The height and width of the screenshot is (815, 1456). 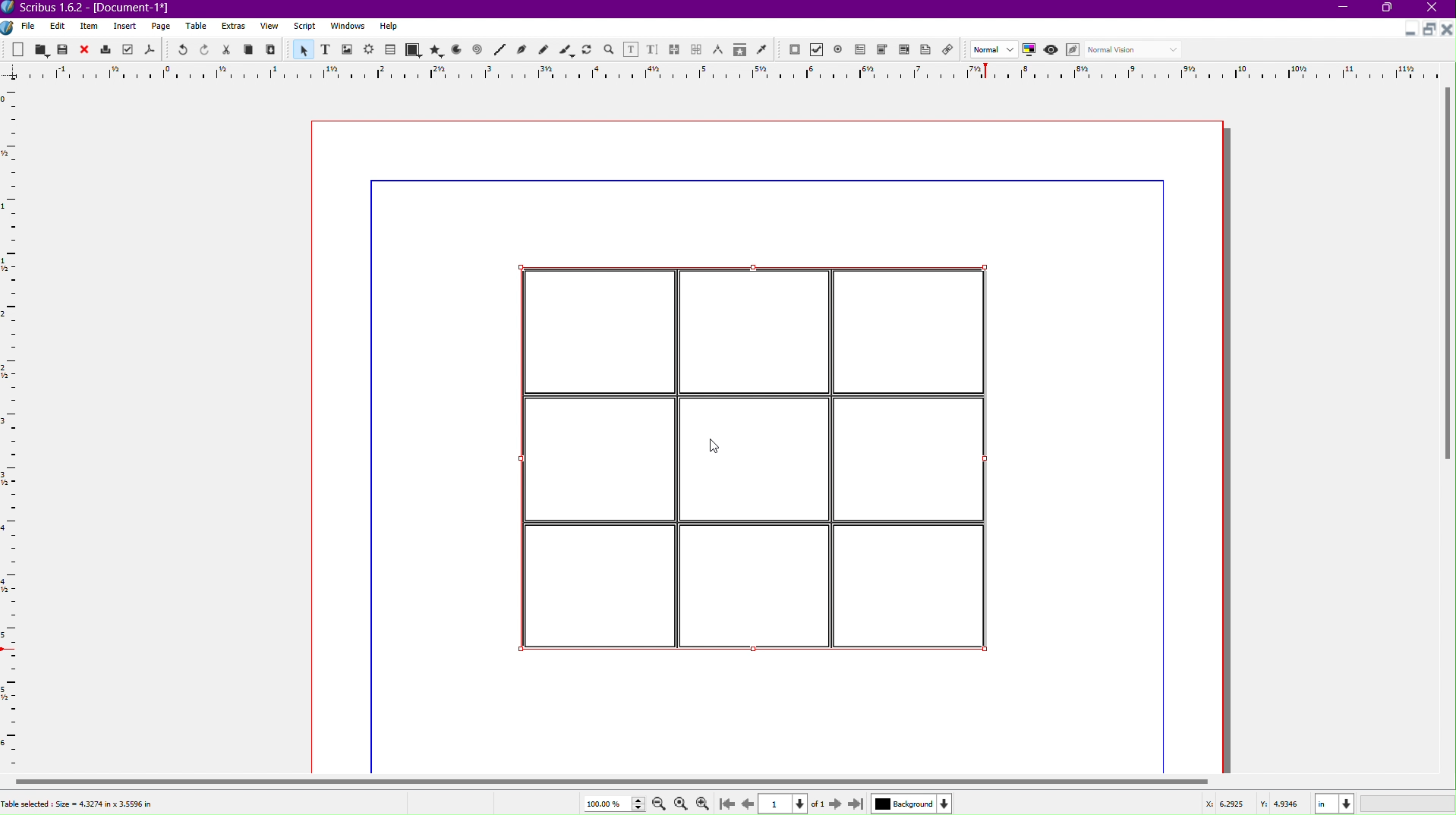 What do you see at coordinates (952, 51) in the screenshot?
I see `Link Annotation` at bounding box center [952, 51].